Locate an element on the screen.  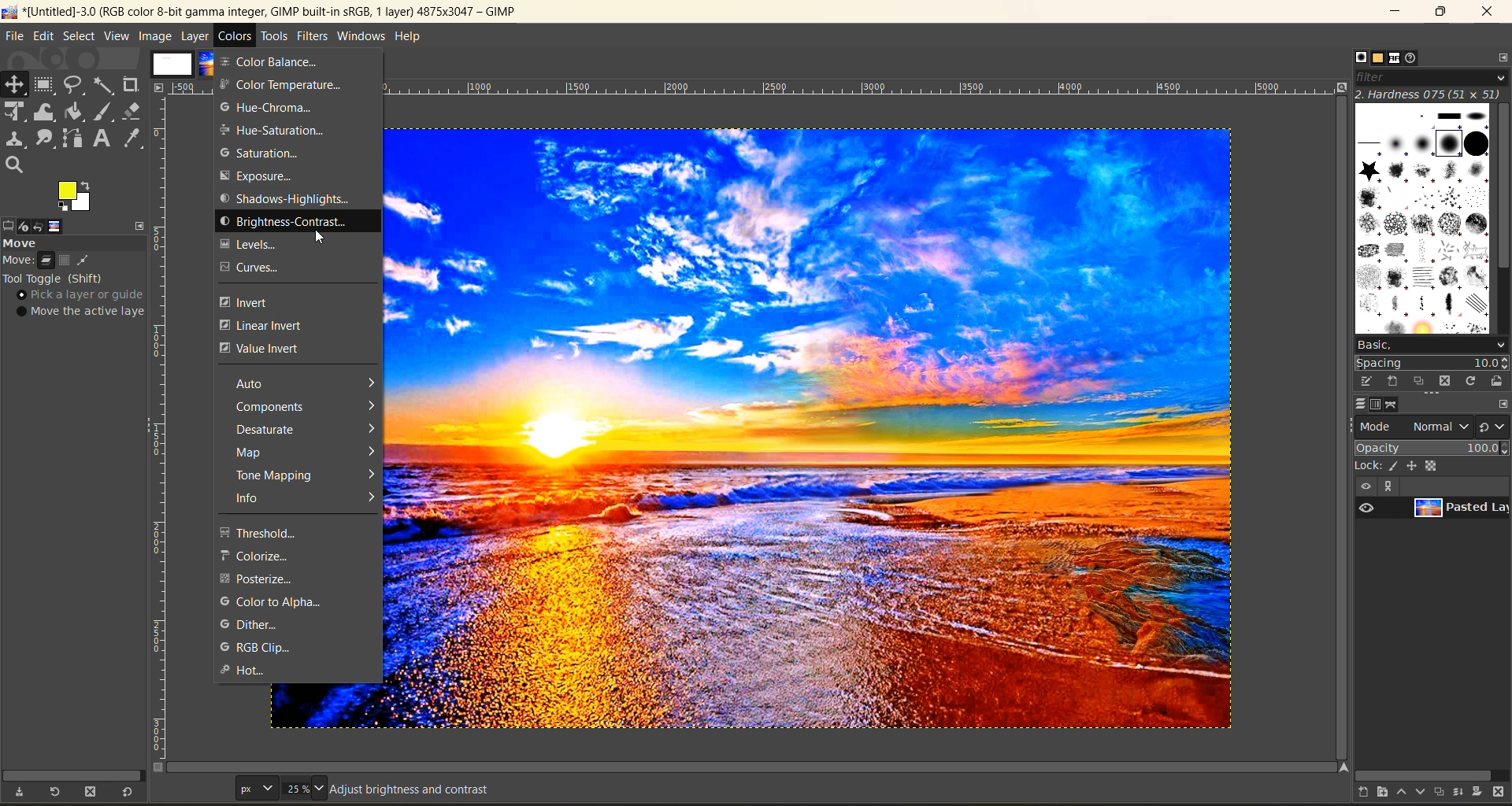
create a new brush is located at coordinates (1391, 380).